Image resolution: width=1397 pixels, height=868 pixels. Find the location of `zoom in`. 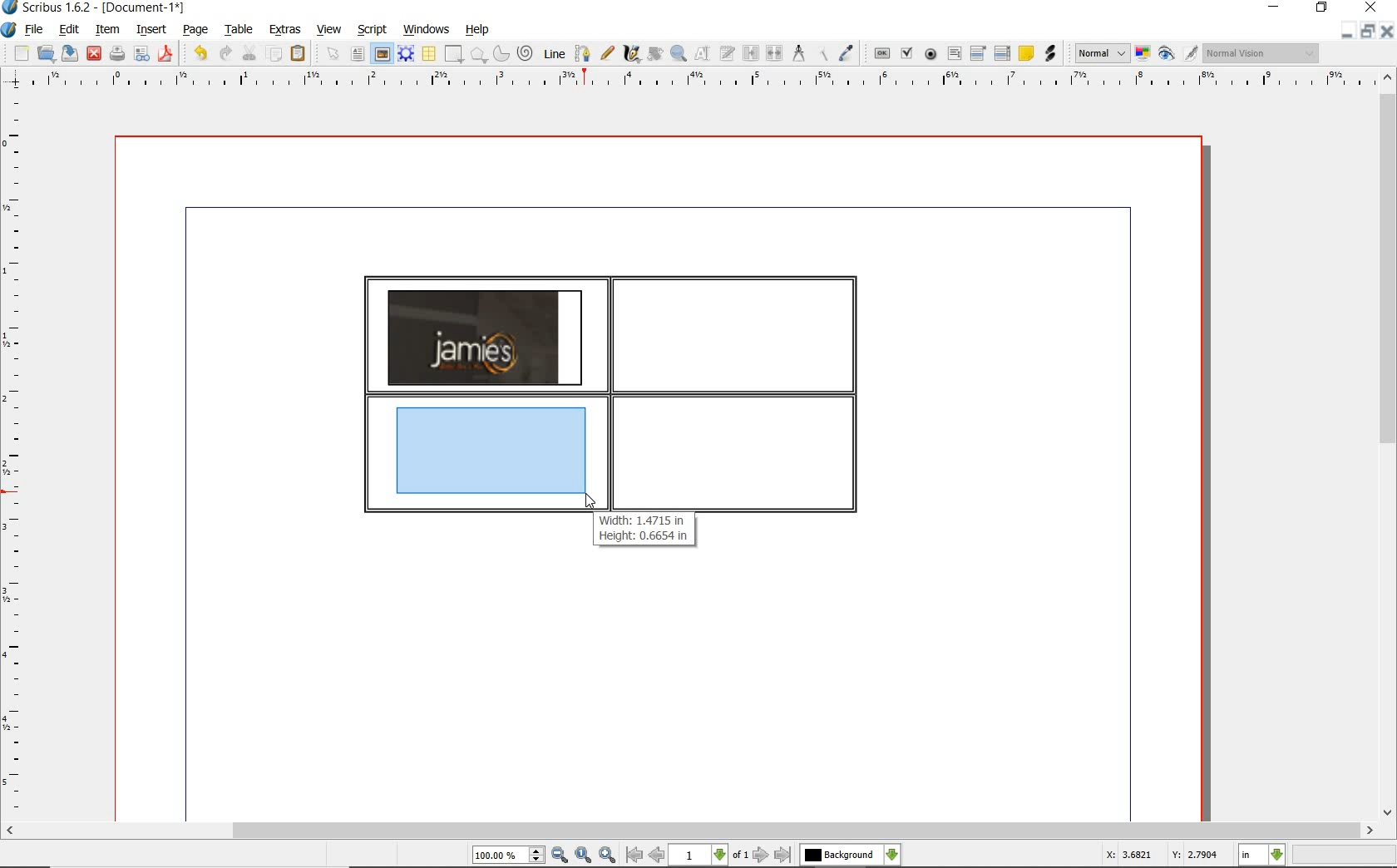

zoom in is located at coordinates (608, 856).